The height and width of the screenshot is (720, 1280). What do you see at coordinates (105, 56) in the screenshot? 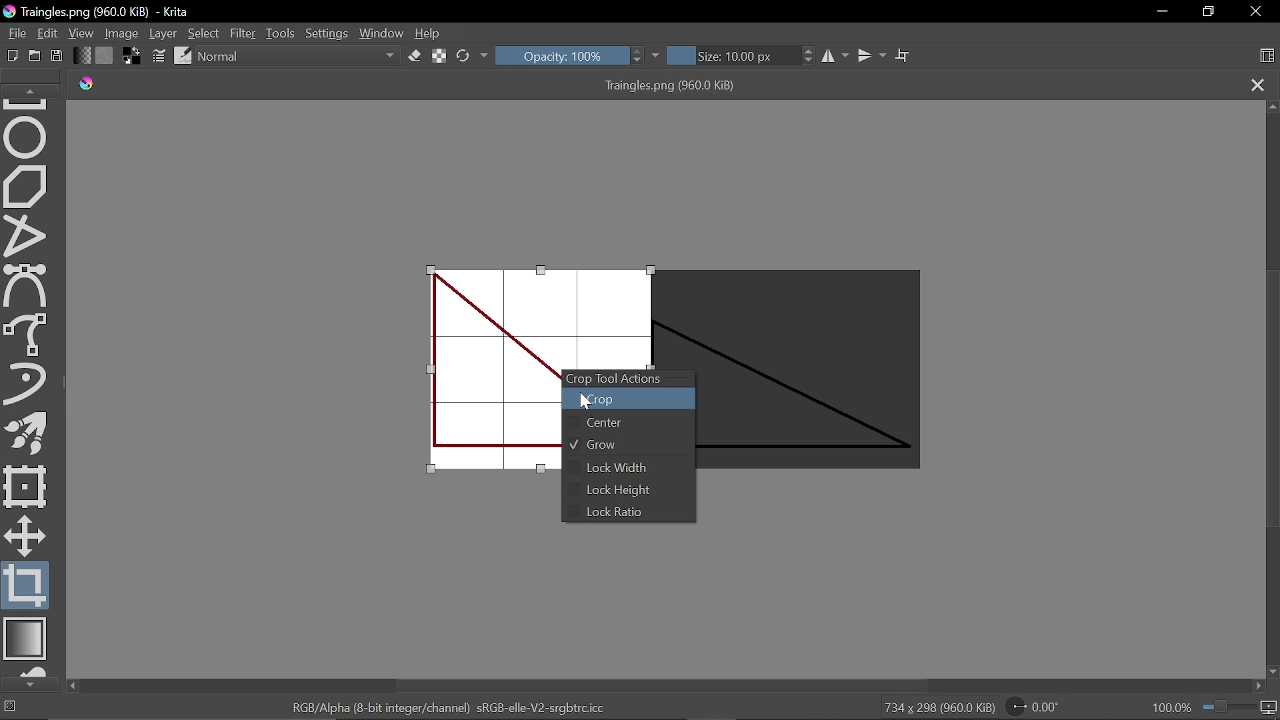
I see `Fill pattern` at bounding box center [105, 56].